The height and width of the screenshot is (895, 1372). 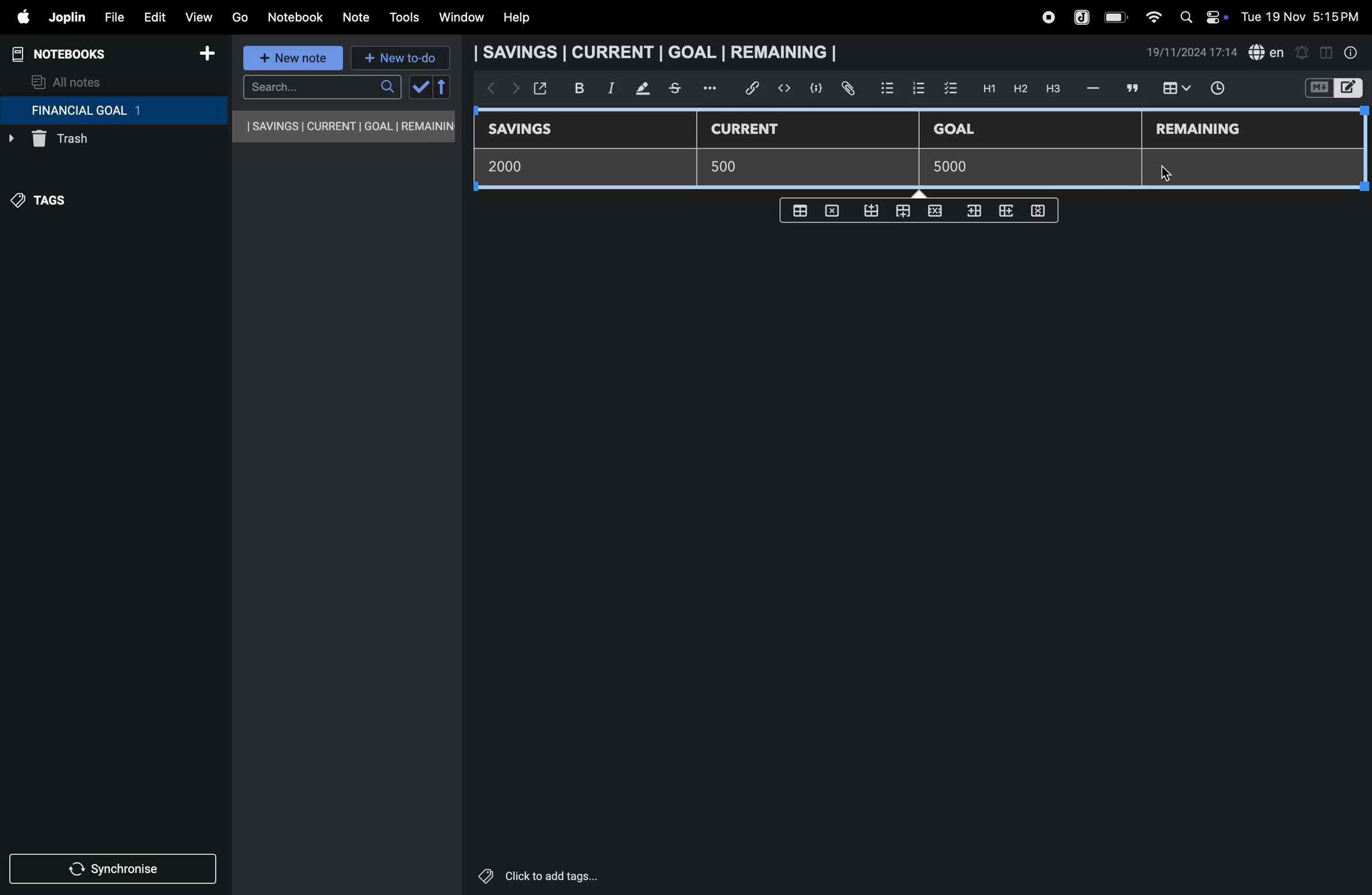 I want to click on heading 3, so click(x=1053, y=89).